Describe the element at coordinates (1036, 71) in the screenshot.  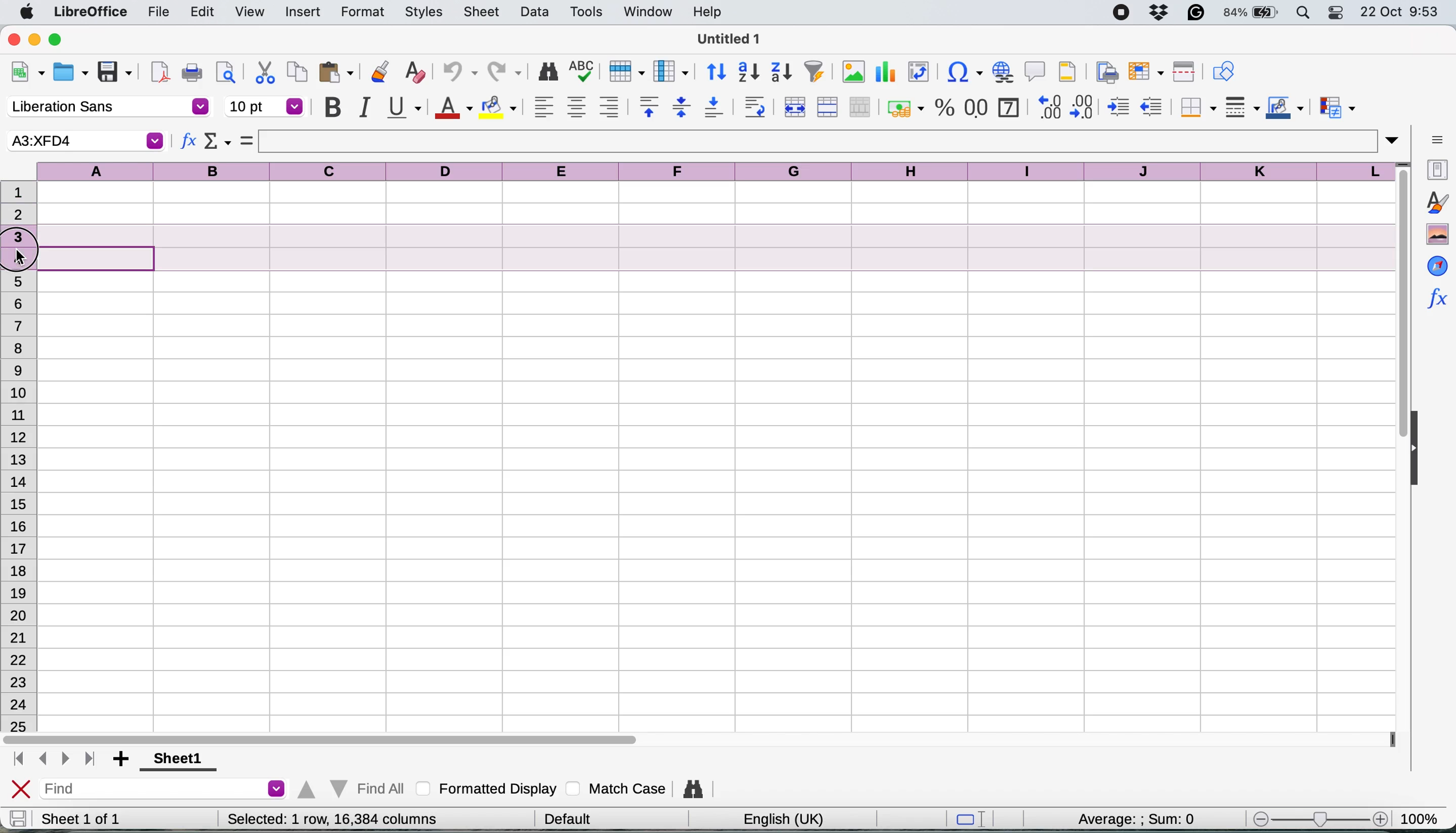
I see `insert comment` at that location.